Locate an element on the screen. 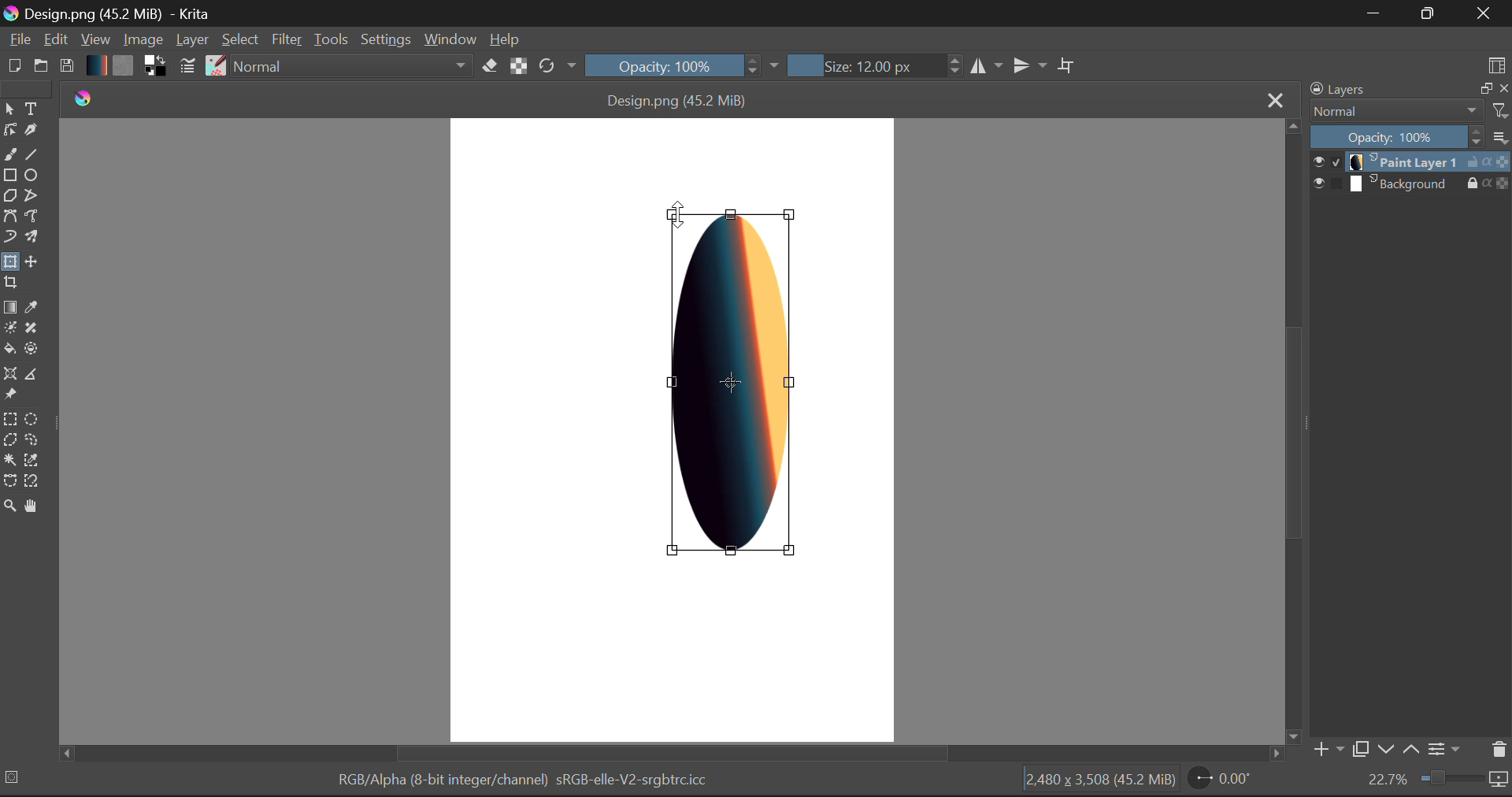  Line is located at coordinates (30, 153).